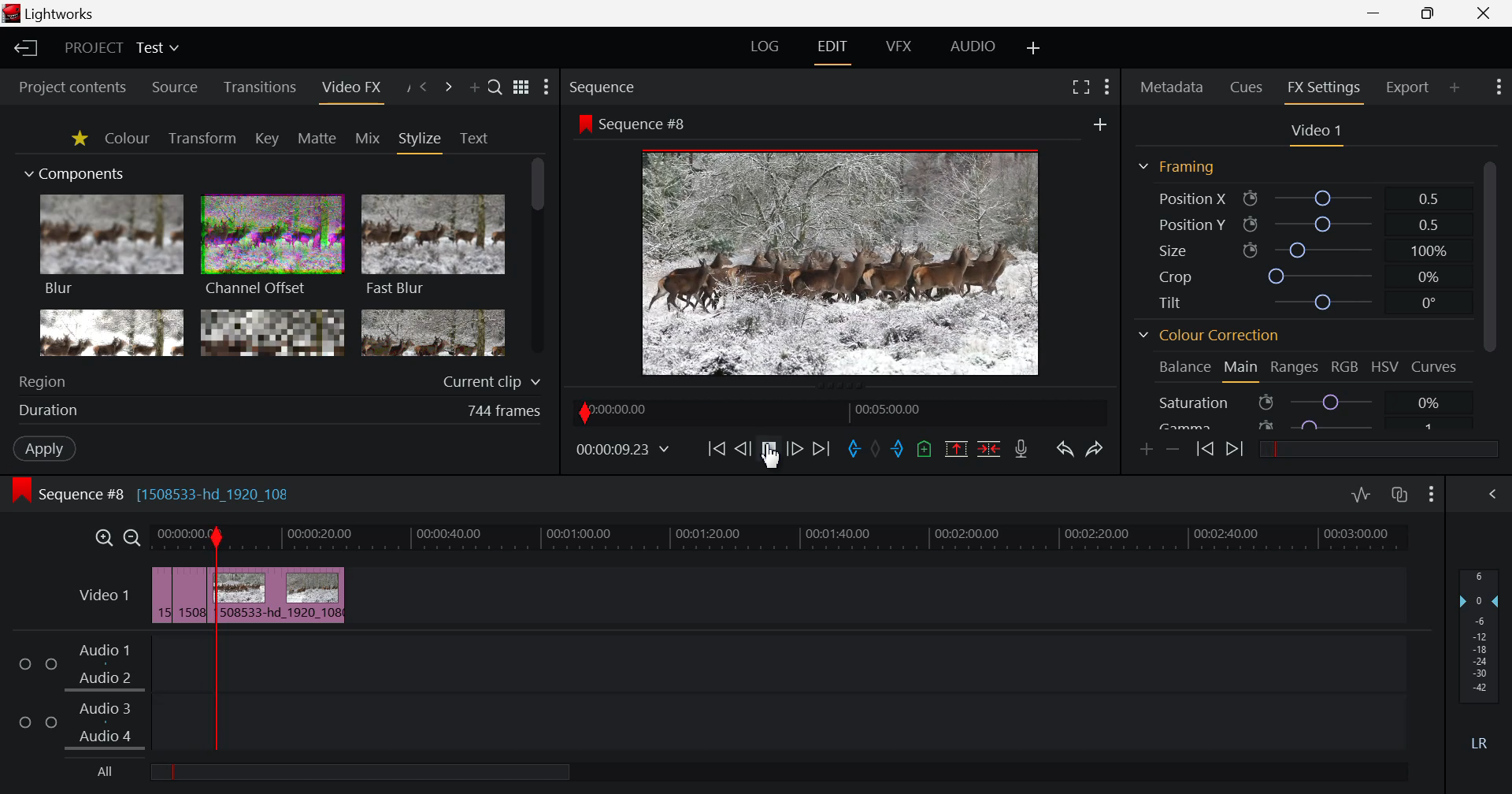 This screenshot has height=794, width=1512. Describe the element at coordinates (795, 449) in the screenshot. I see `Go Forward` at that location.